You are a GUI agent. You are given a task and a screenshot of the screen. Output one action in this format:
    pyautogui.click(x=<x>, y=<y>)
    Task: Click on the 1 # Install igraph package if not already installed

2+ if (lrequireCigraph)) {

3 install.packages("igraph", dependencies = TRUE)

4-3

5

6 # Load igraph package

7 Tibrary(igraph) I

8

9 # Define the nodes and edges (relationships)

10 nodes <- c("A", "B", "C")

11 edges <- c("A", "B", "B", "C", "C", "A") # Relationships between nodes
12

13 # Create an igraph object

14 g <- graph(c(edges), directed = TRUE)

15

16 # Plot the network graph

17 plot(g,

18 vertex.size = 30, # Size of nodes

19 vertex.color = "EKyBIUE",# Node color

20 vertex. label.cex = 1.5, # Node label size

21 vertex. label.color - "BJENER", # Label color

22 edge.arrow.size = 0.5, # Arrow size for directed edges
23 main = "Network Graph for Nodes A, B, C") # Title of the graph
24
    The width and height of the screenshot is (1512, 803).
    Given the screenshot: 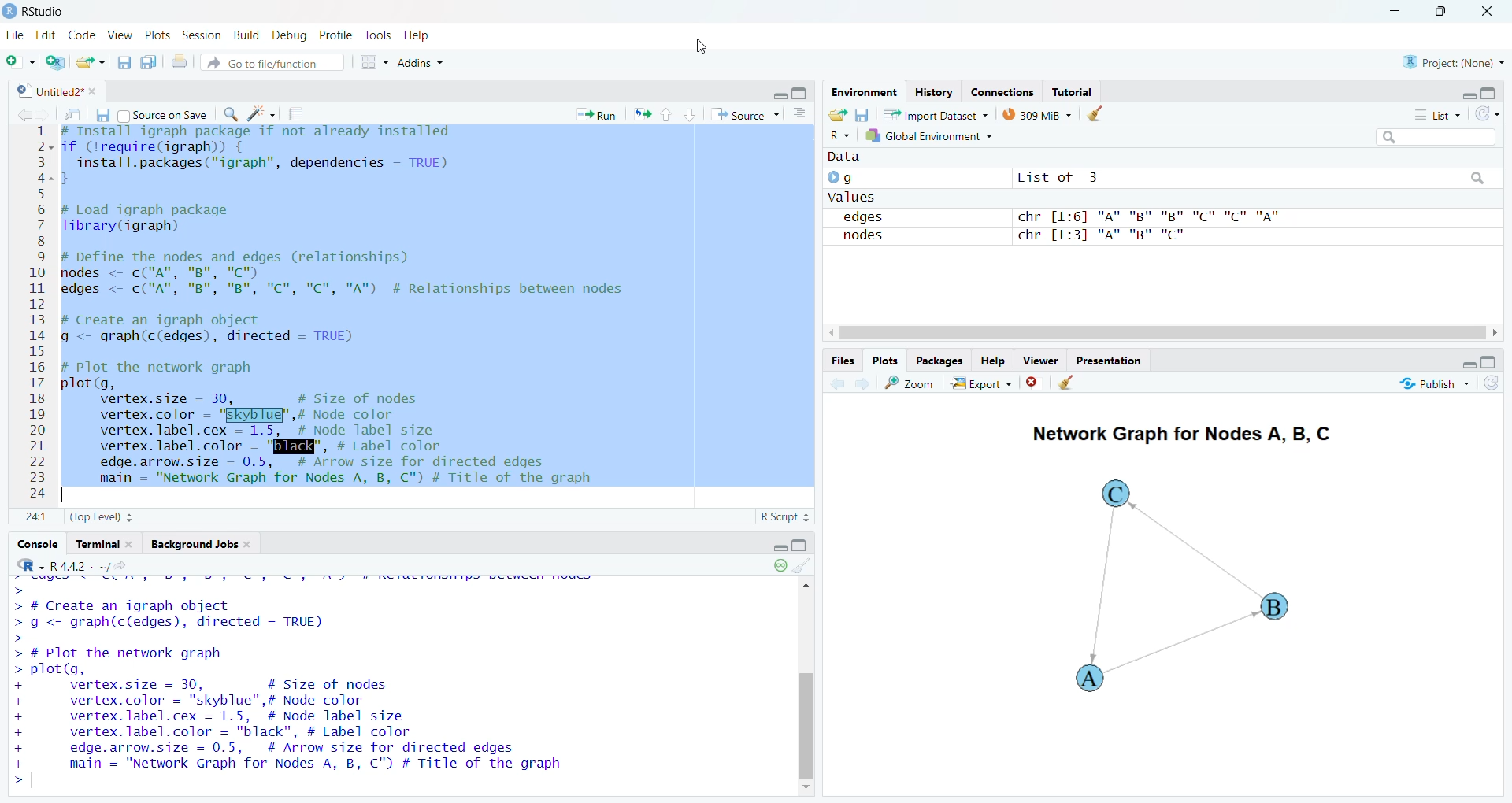 What is the action you would take?
    pyautogui.click(x=329, y=313)
    